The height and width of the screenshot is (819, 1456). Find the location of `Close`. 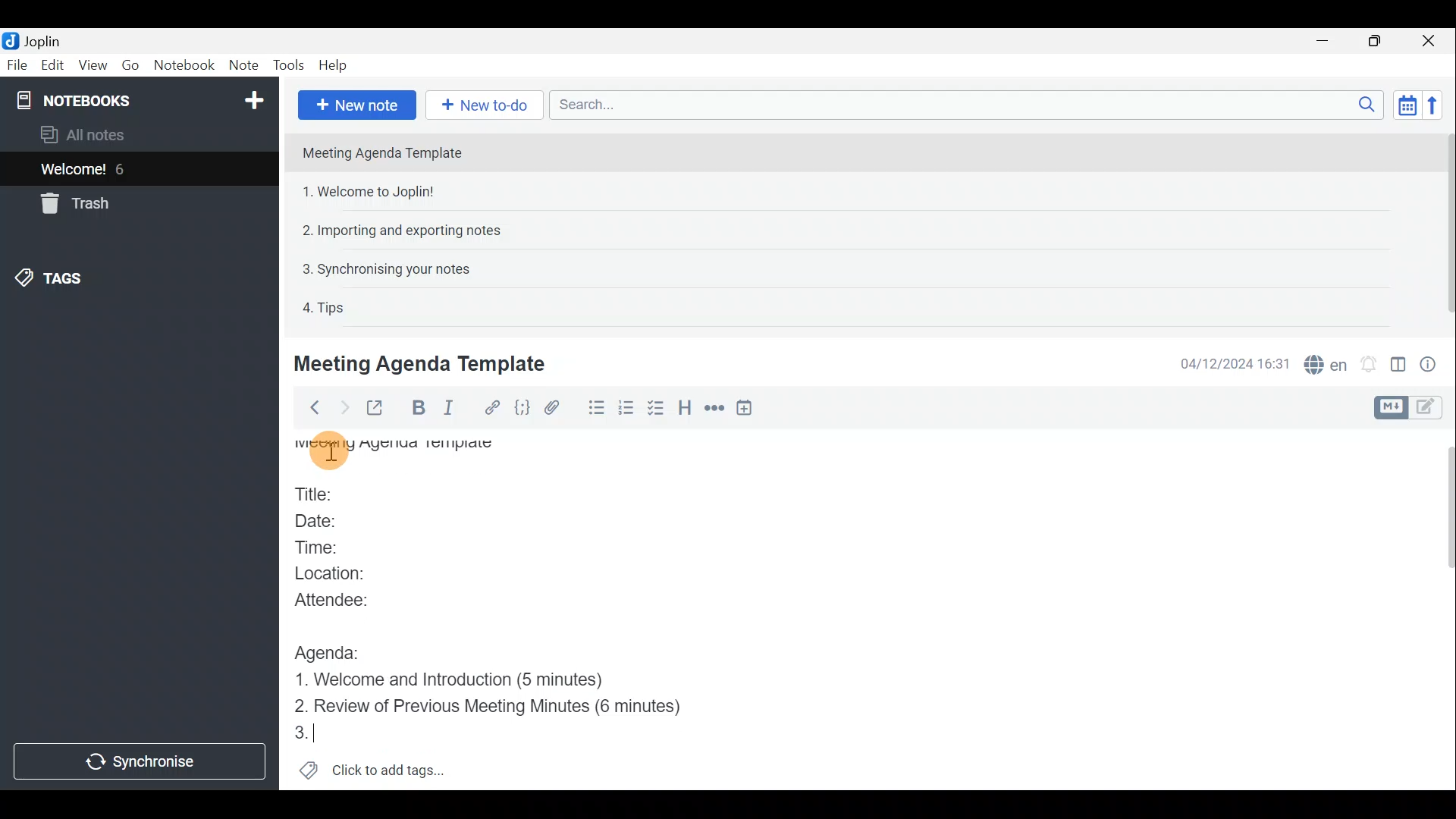

Close is located at coordinates (1429, 42).